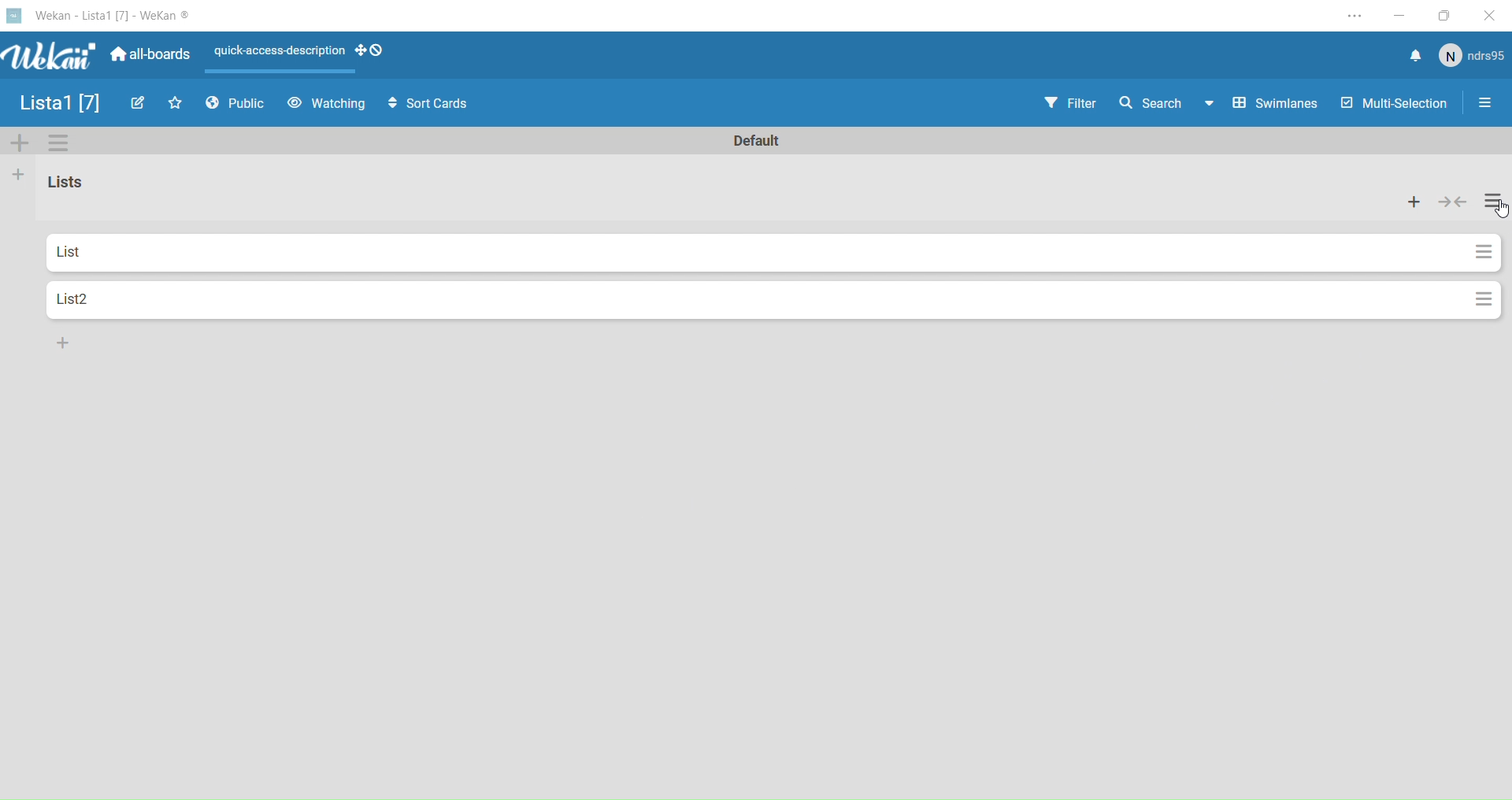  Describe the element at coordinates (72, 182) in the screenshot. I see `List` at that location.